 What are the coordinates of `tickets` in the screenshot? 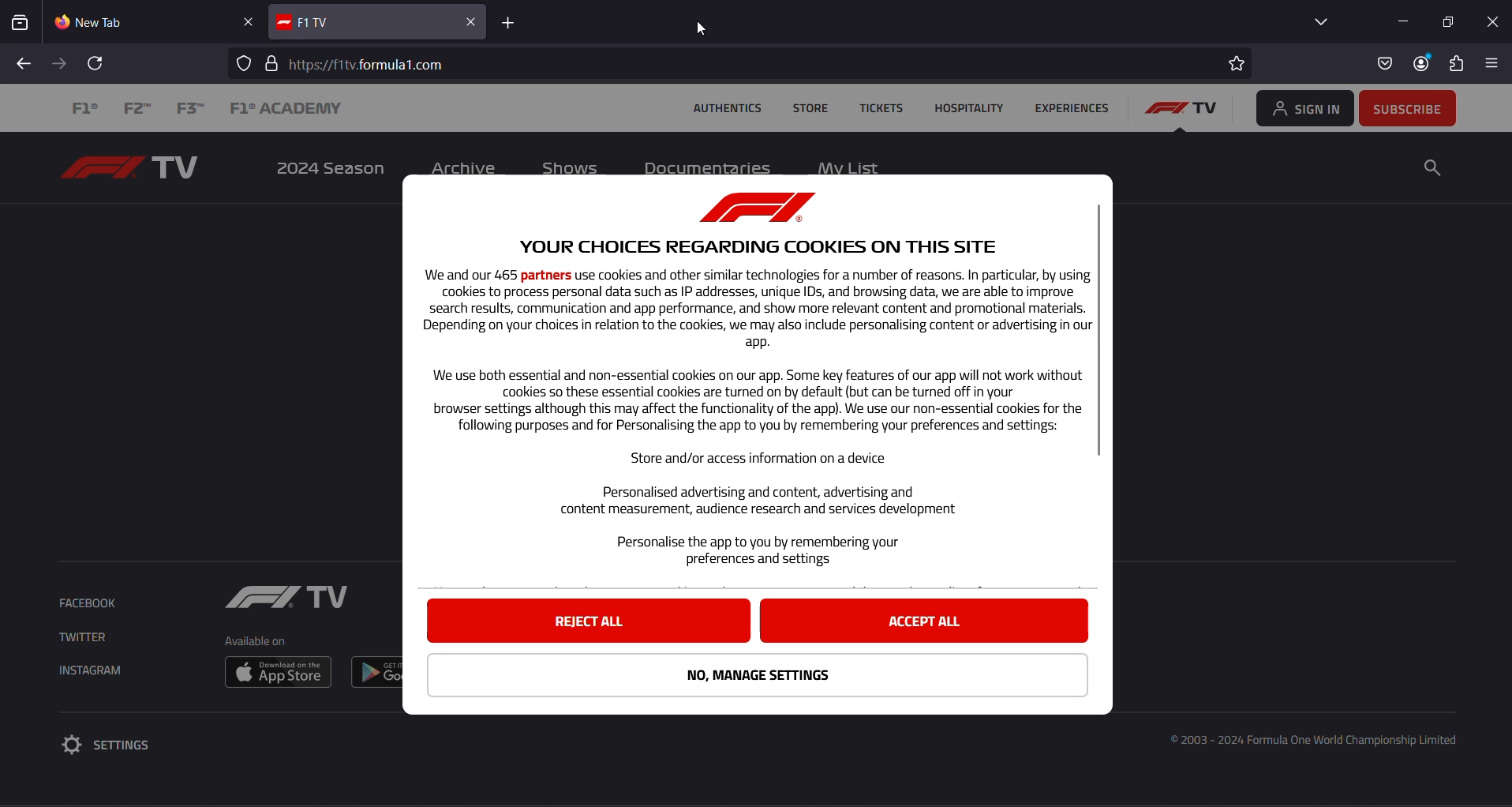 It's located at (882, 108).